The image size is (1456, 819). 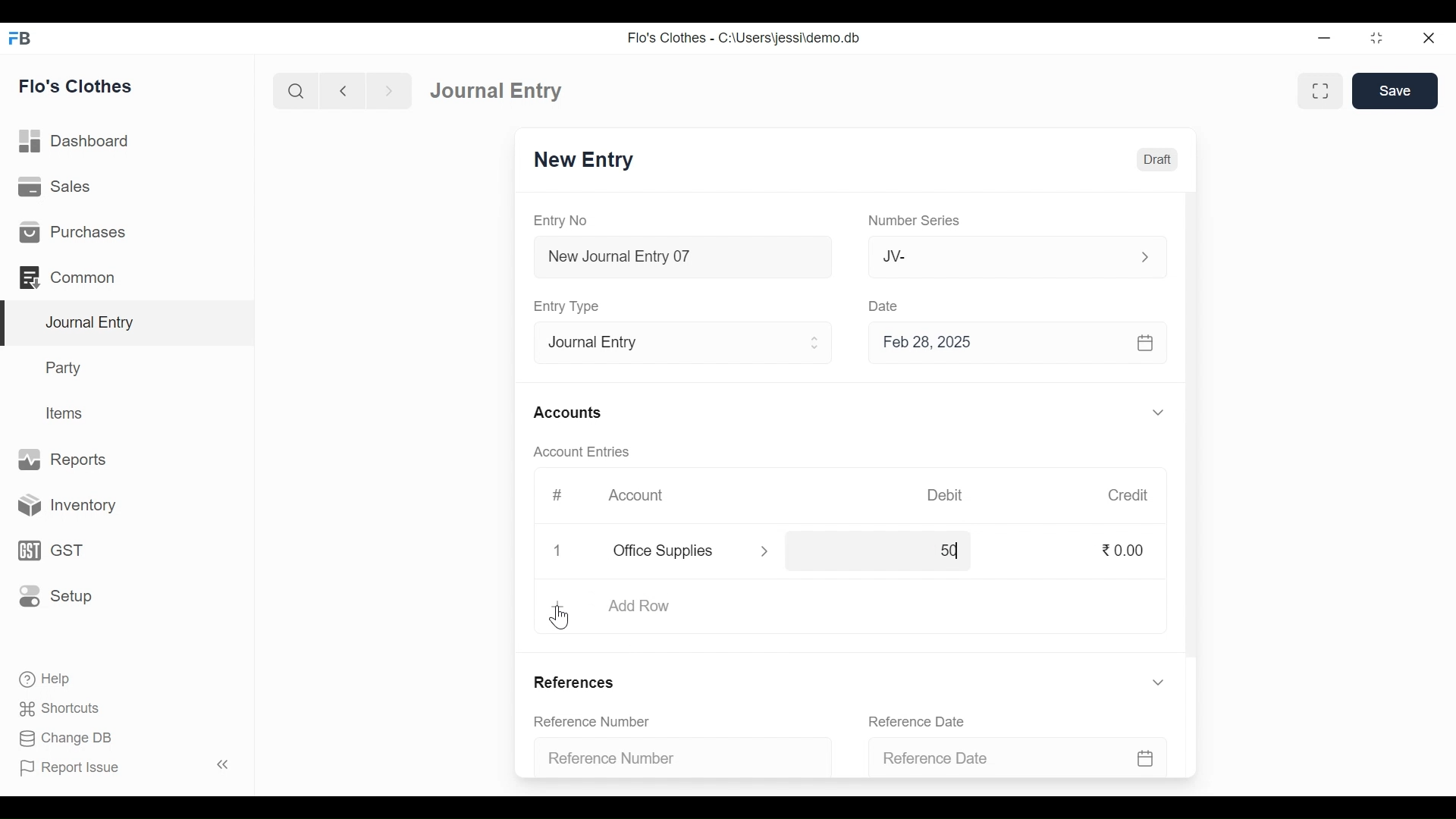 I want to click on GST, so click(x=49, y=552).